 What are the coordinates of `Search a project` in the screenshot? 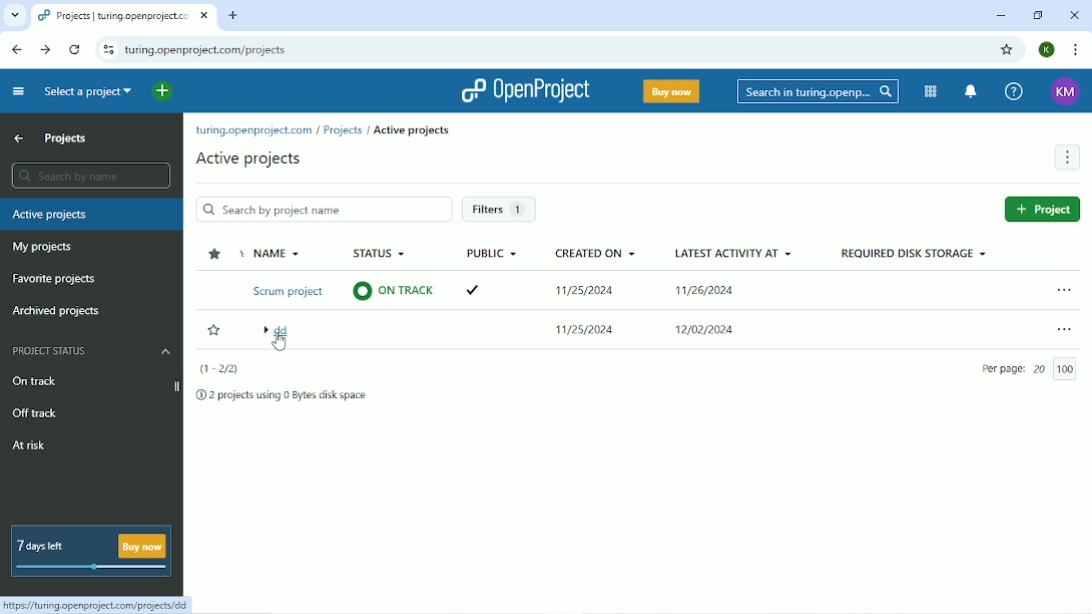 It's located at (85, 92).